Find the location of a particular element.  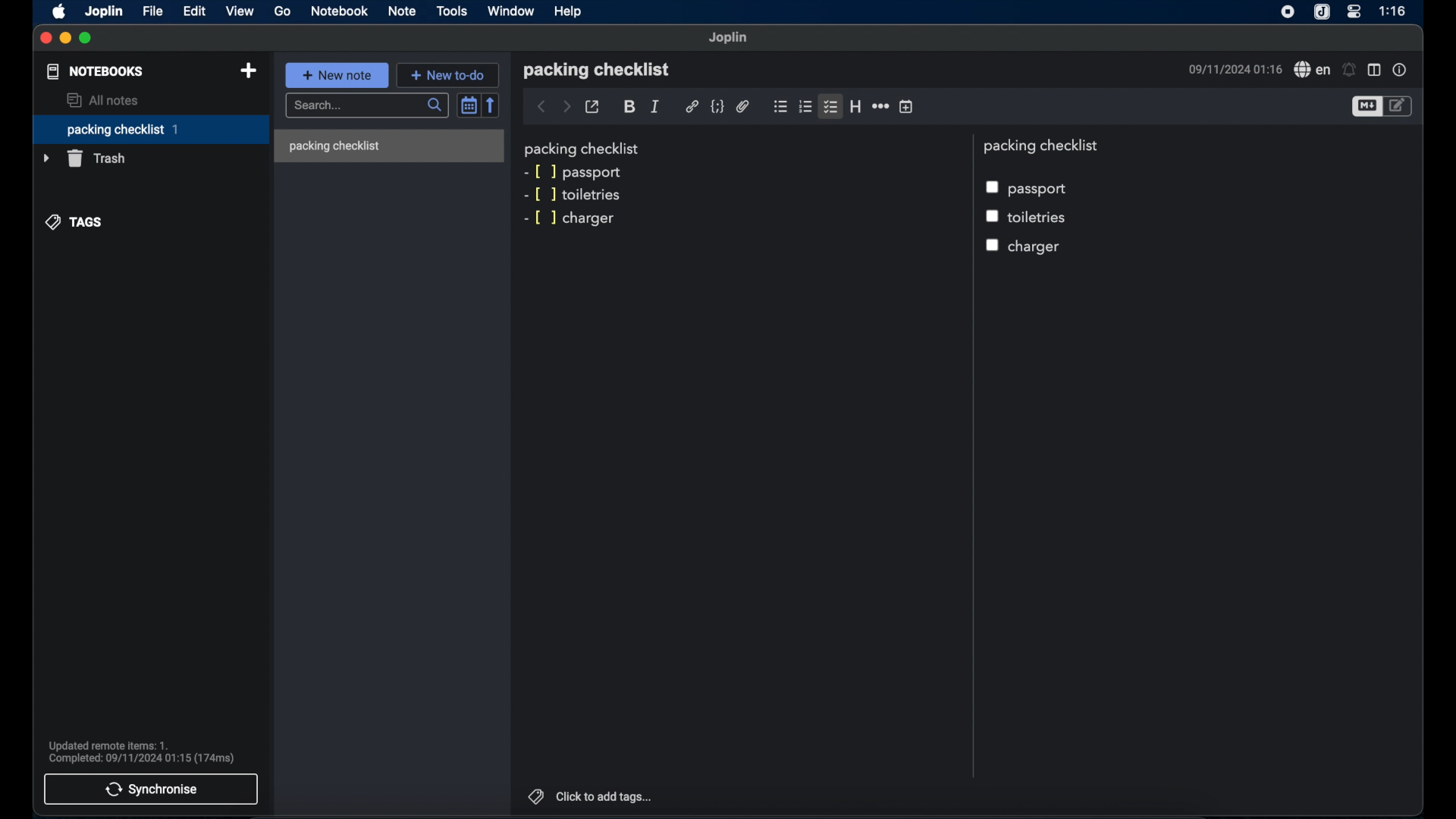

toiletries is located at coordinates (1029, 218).